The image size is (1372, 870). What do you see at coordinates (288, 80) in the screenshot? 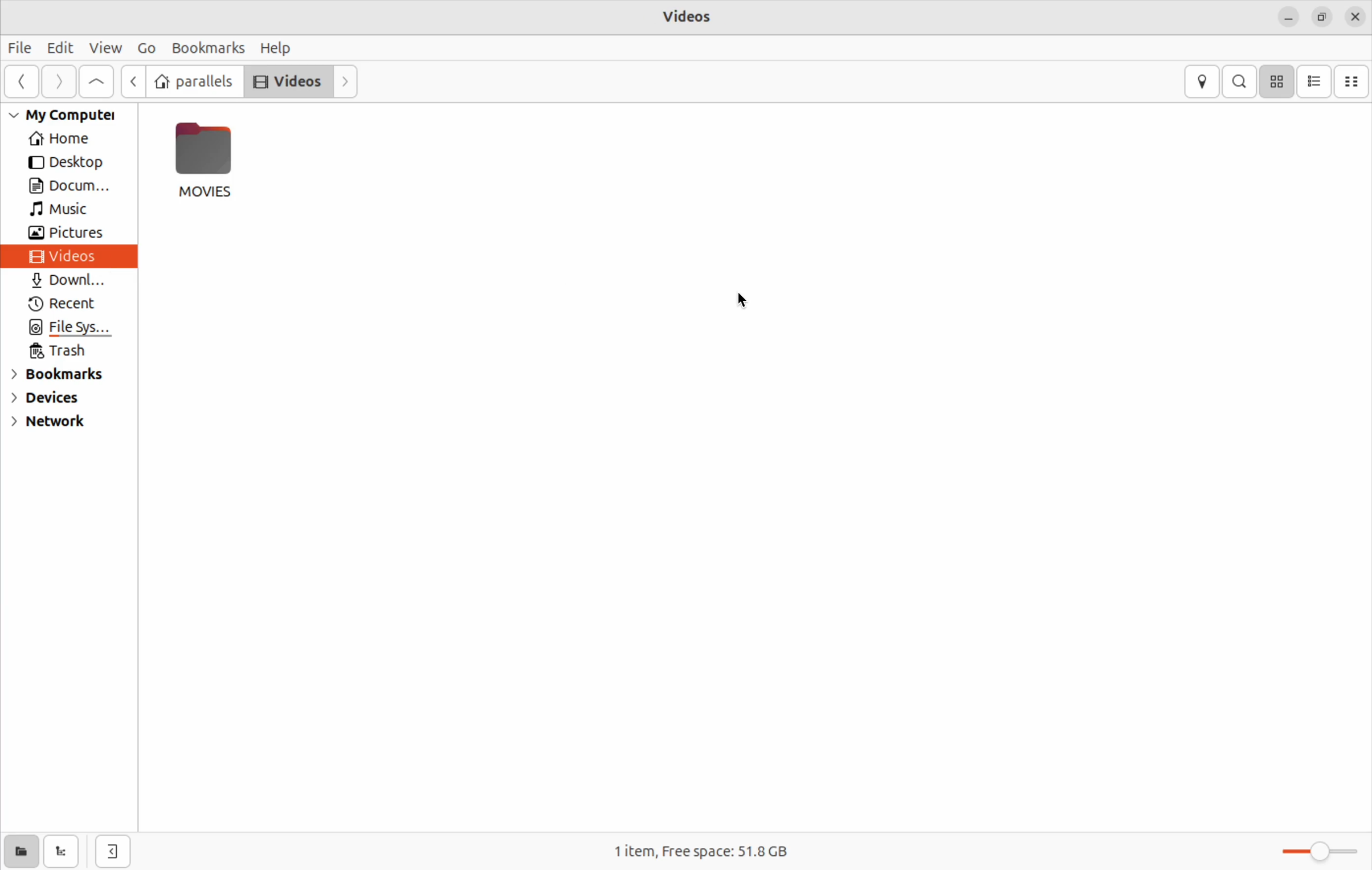
I see `Videos` at bounding box center [288, 80].